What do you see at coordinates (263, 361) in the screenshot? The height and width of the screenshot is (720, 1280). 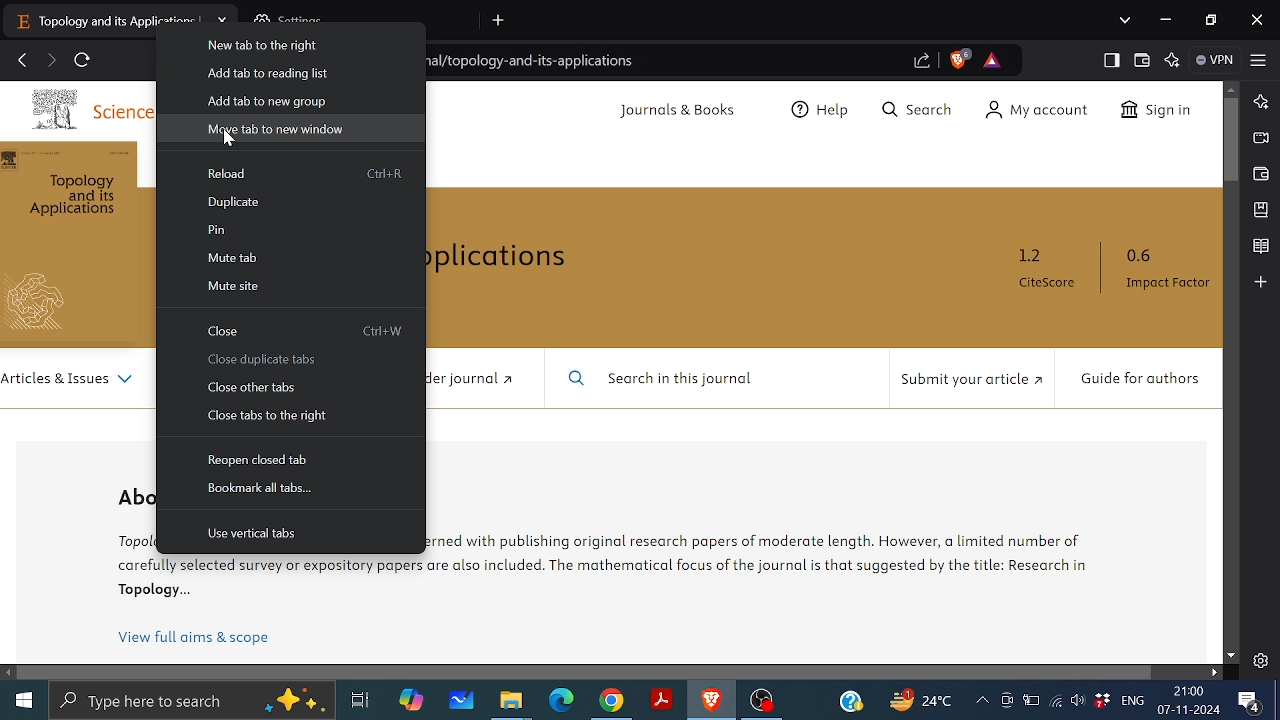 I see `Close duplicate tabs` at bounding box center [263, 361].